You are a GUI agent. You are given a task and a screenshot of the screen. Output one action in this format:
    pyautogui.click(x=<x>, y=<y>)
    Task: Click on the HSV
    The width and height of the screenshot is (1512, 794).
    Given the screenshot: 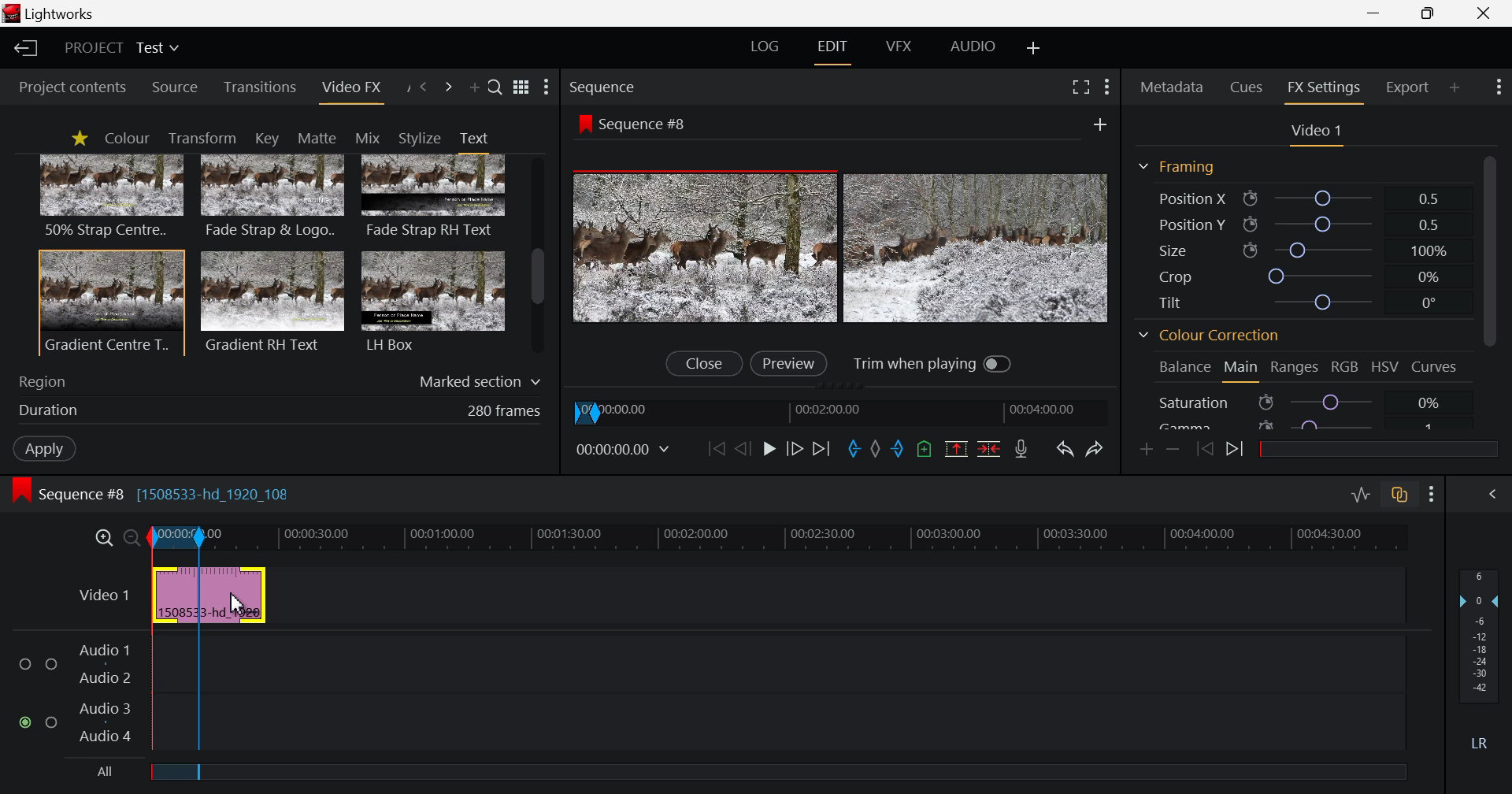 What is the action you would take?
    pyautogui.click(x=1388, y=368)
    